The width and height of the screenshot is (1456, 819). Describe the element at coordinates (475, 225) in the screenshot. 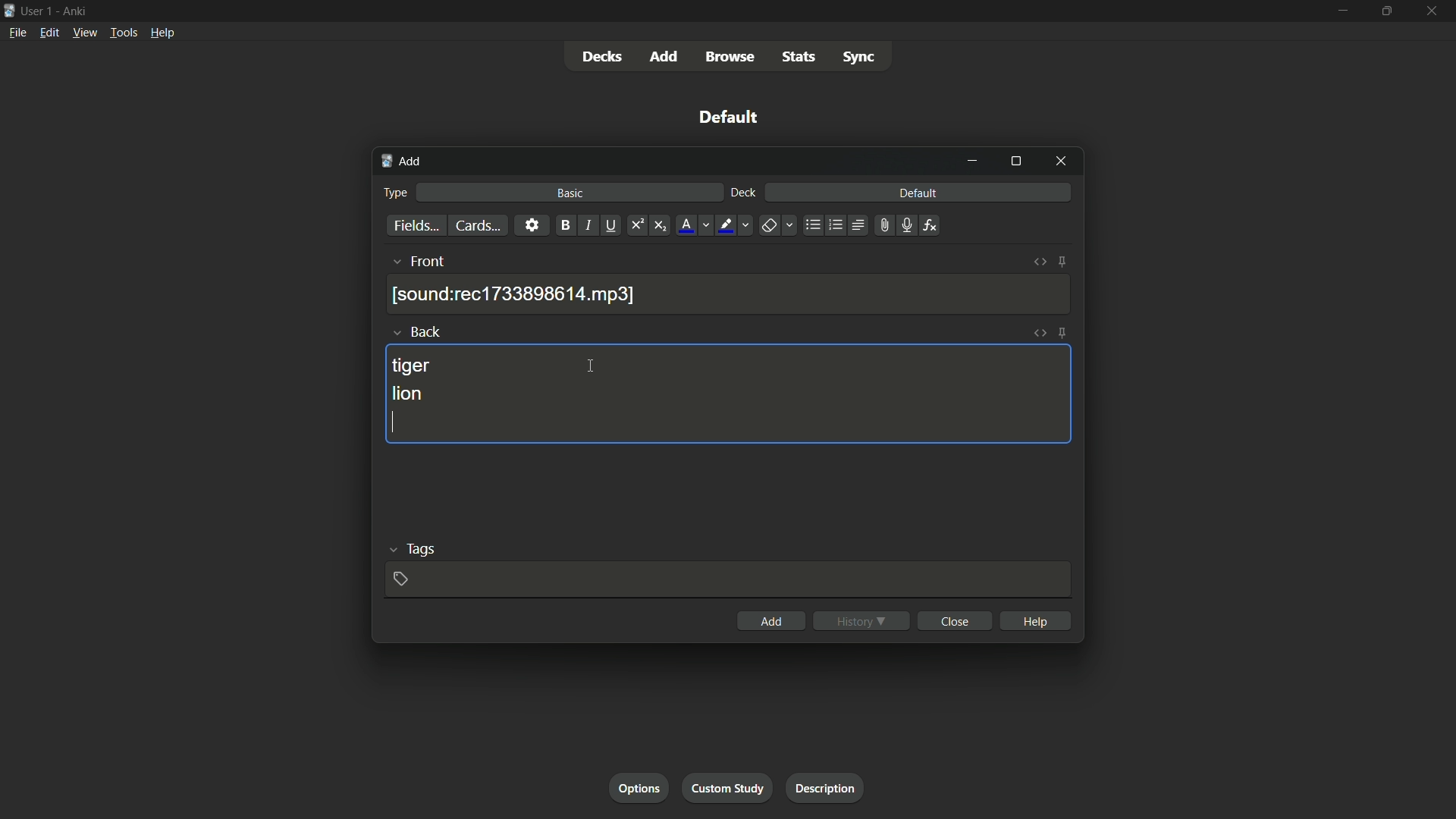

I see `cards` at that location.